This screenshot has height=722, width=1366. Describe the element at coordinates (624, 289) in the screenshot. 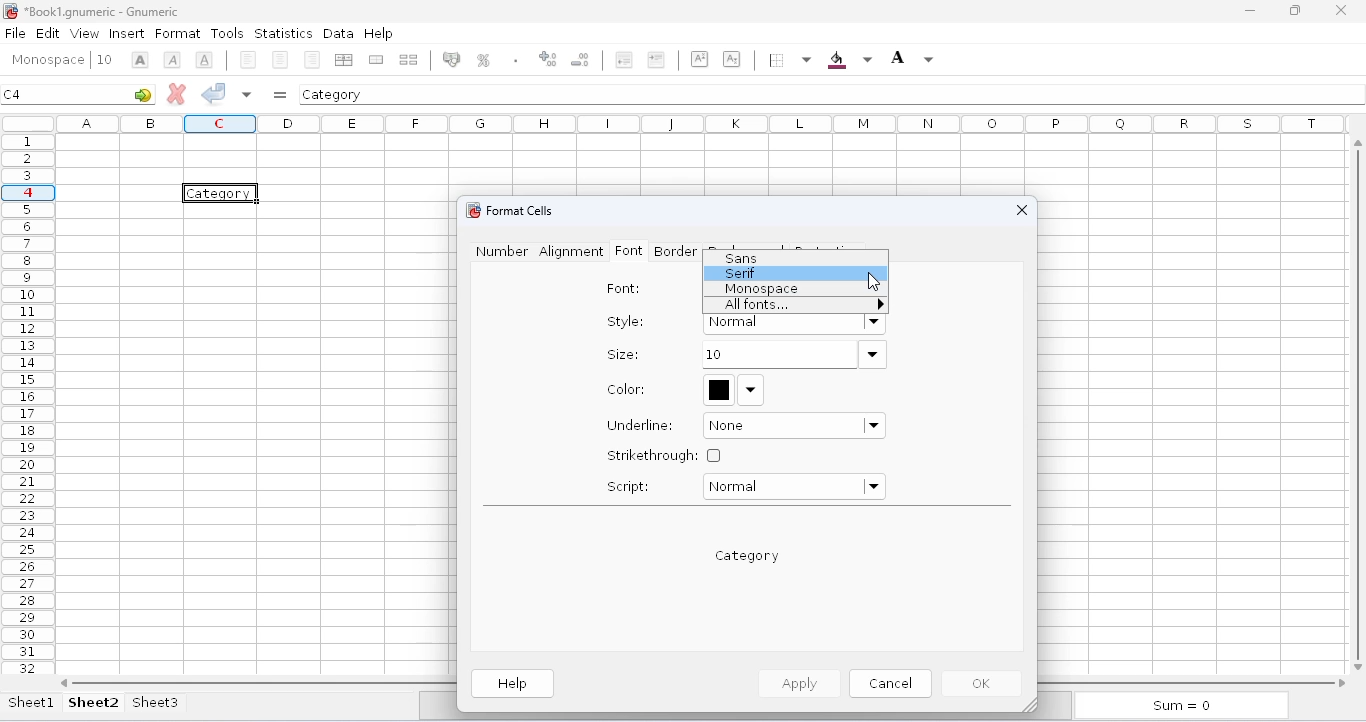

I see `font:` at that location.